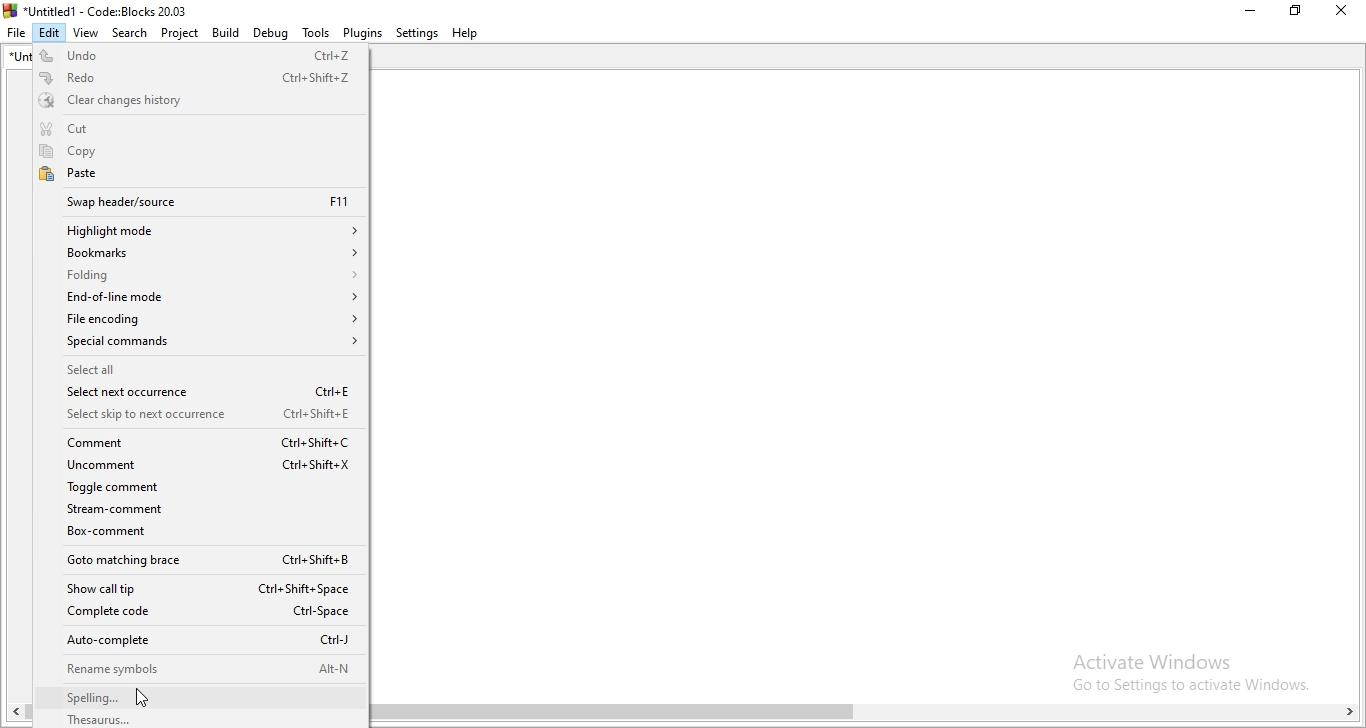  What do you see at coordinates (270, 32) in the screenshot?
I see `debug` at bounding box center [270, 32].